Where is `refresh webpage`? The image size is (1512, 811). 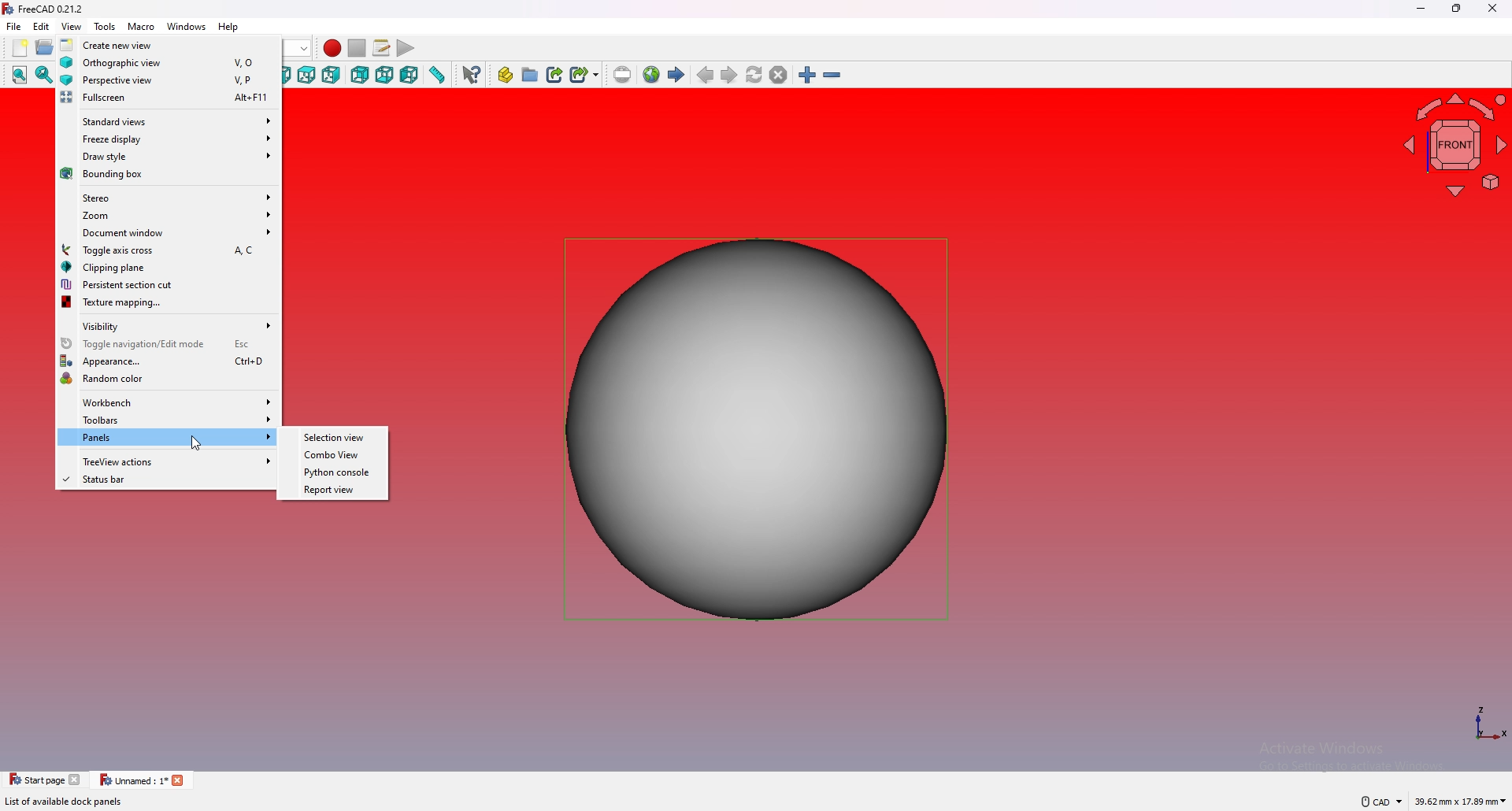
refresh webpage is located at coordinates (754, 74).